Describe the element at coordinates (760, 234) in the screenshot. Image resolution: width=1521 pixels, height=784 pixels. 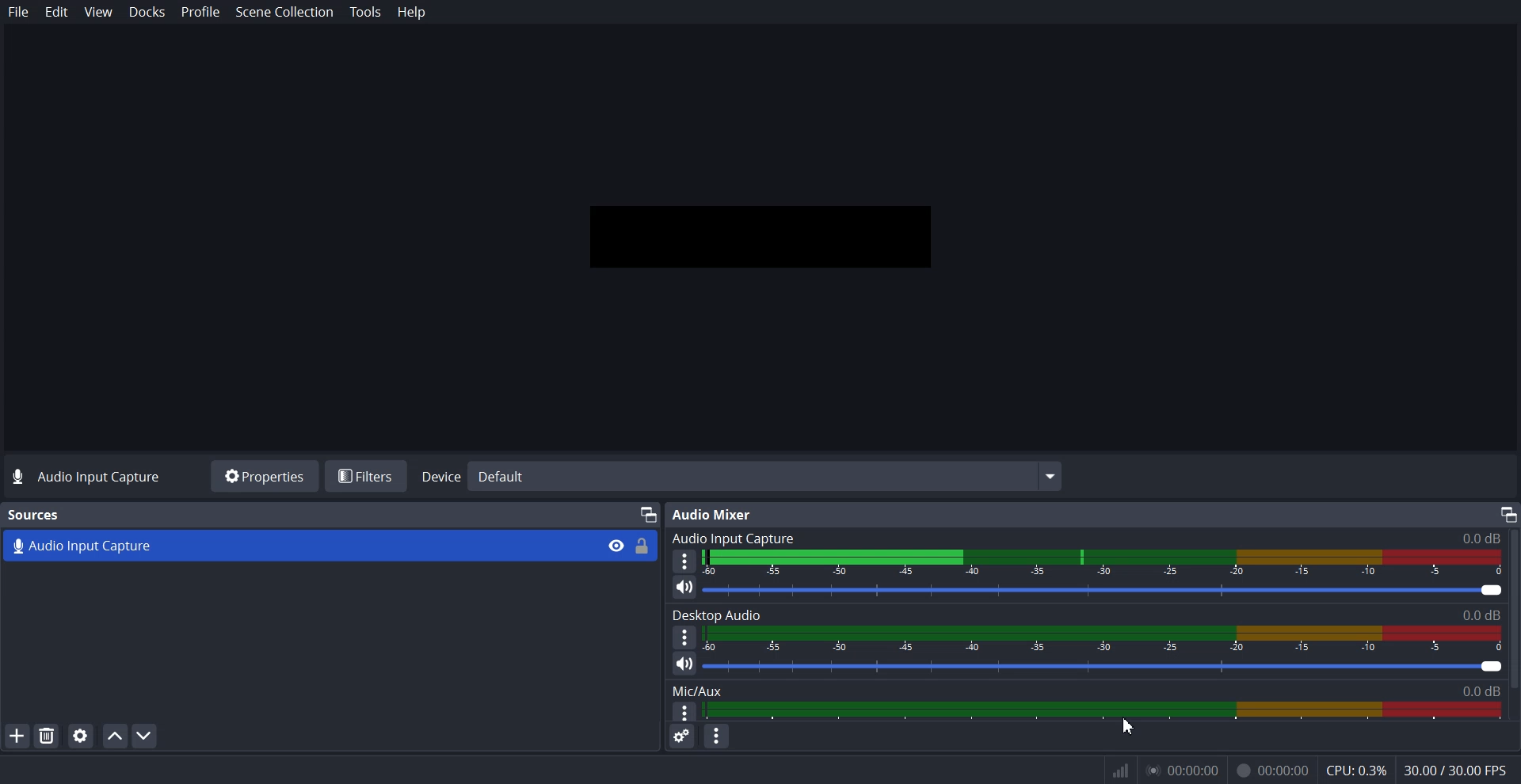
I see `Preview window` at that location.